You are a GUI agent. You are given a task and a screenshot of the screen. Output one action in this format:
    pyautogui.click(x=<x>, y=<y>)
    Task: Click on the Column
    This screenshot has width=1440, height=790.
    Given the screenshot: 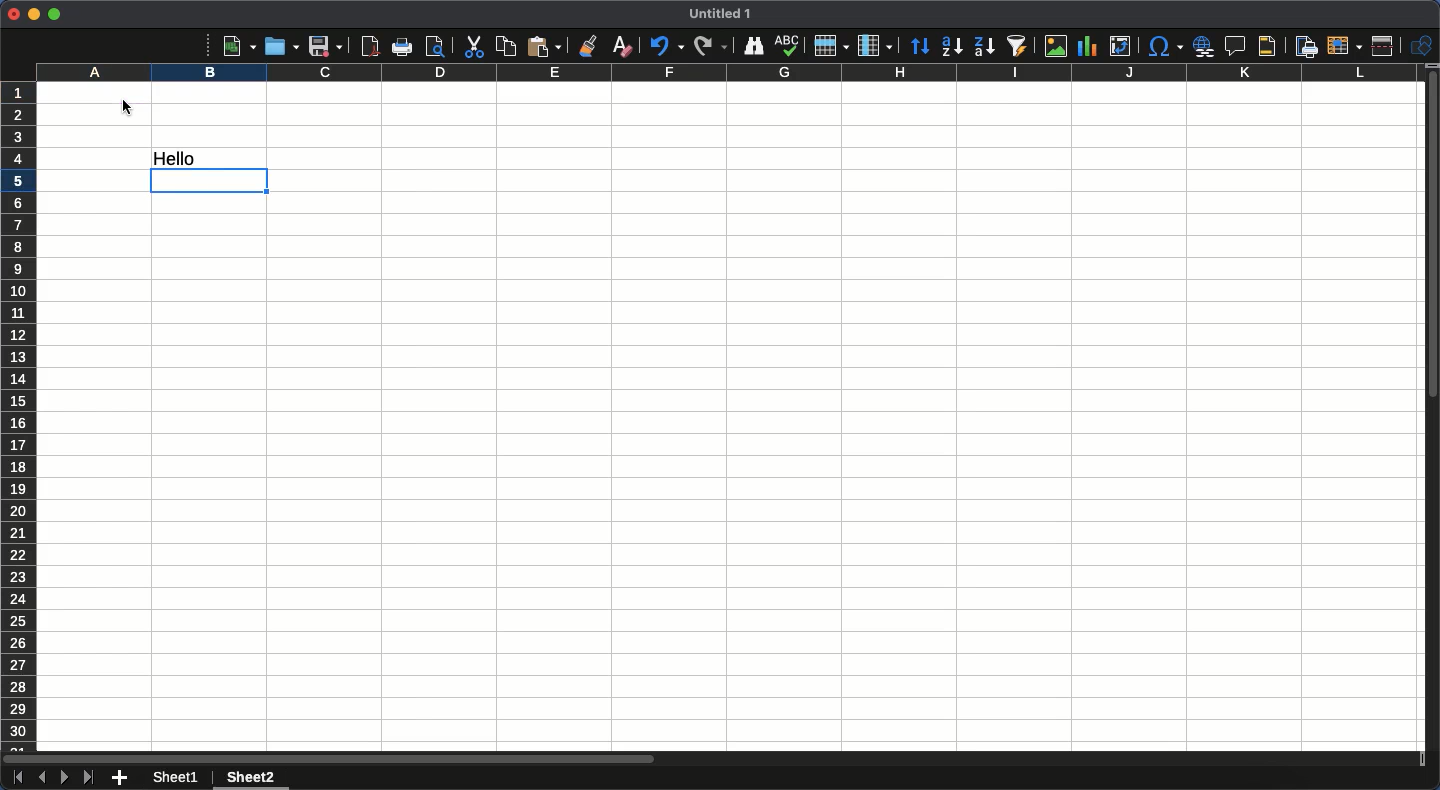 What is the action you would take?
    pyautogui.click(x=877, y=46)
    